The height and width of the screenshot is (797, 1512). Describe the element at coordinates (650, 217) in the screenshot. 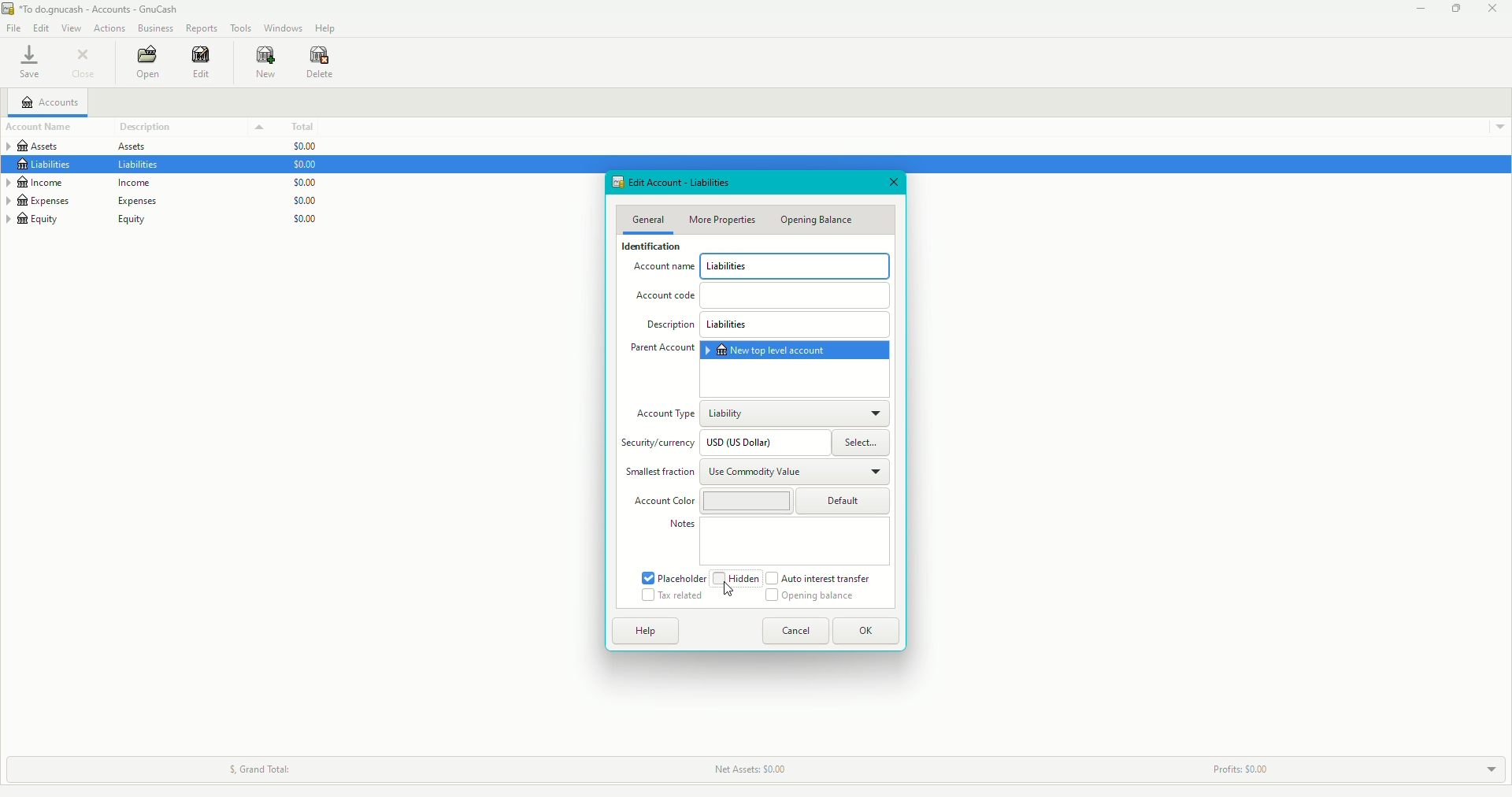

I see `General` at that location.